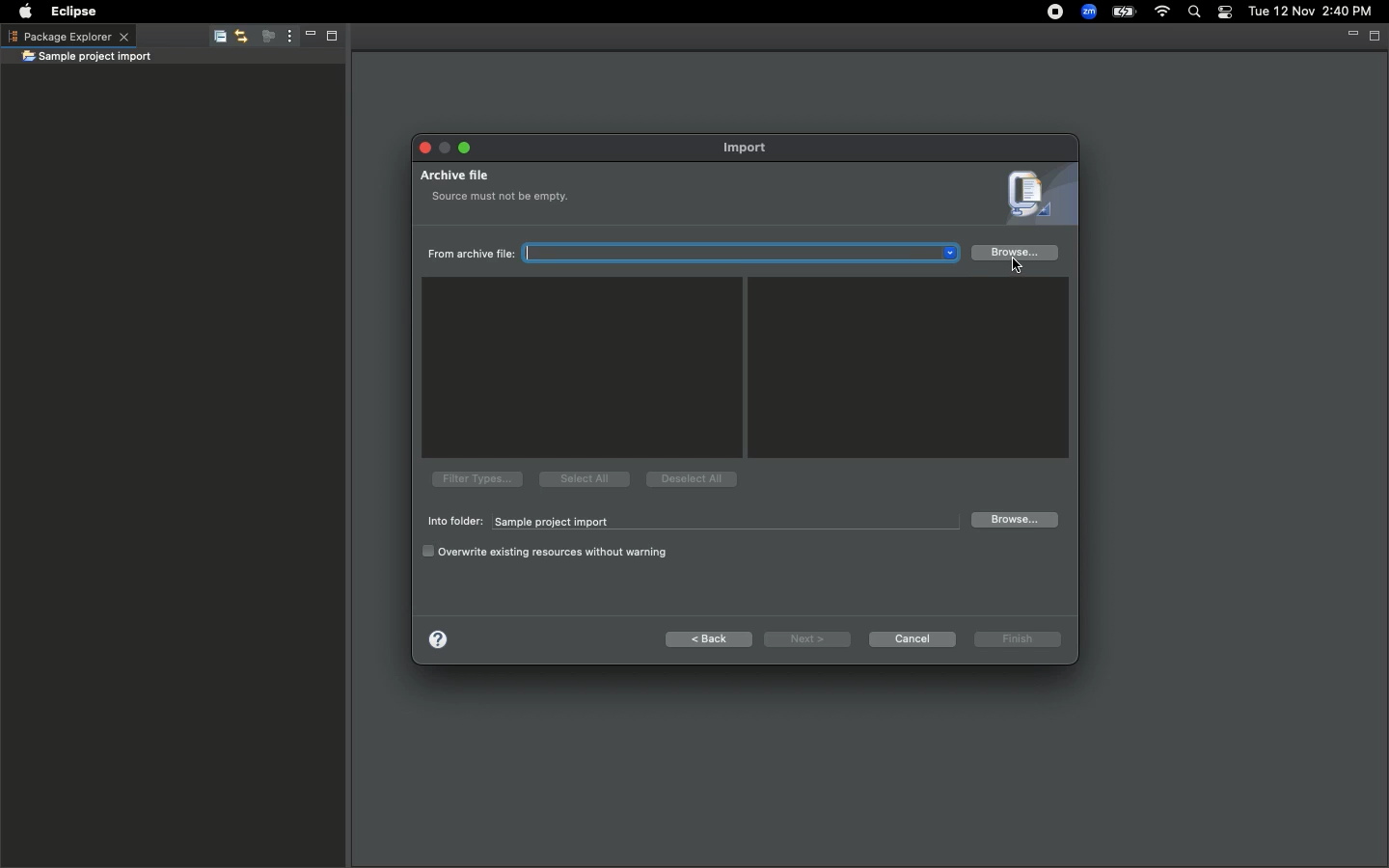 The width and height of the screenshot is (1389, 868). Describe the element at coordinates (286, 37) in the screenshot. I see `View menu` at that location.